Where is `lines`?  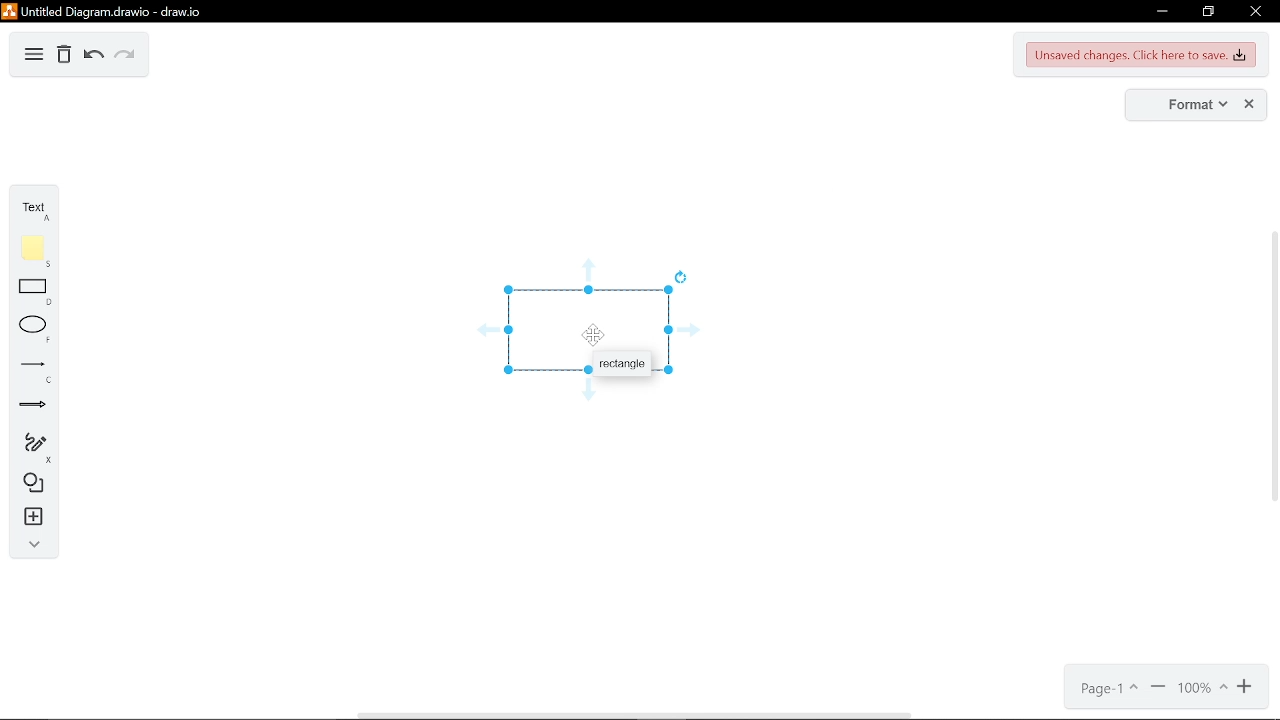 lines is located at coordinates (36, 372).